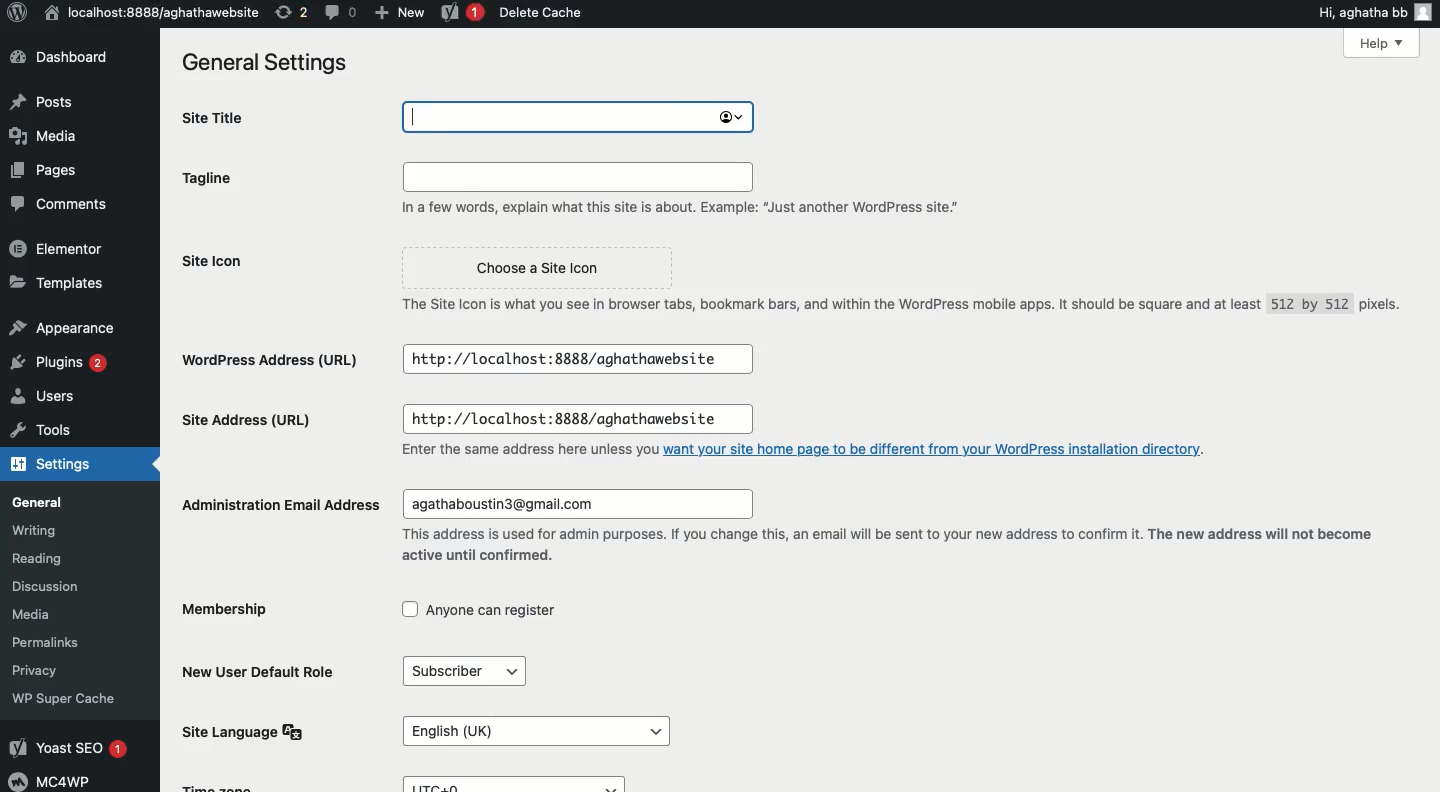 The height and width of the screenshot is (792, 1440). I want to click on want your site home page to be different from your WordPress installation directory., so click(940, 450).